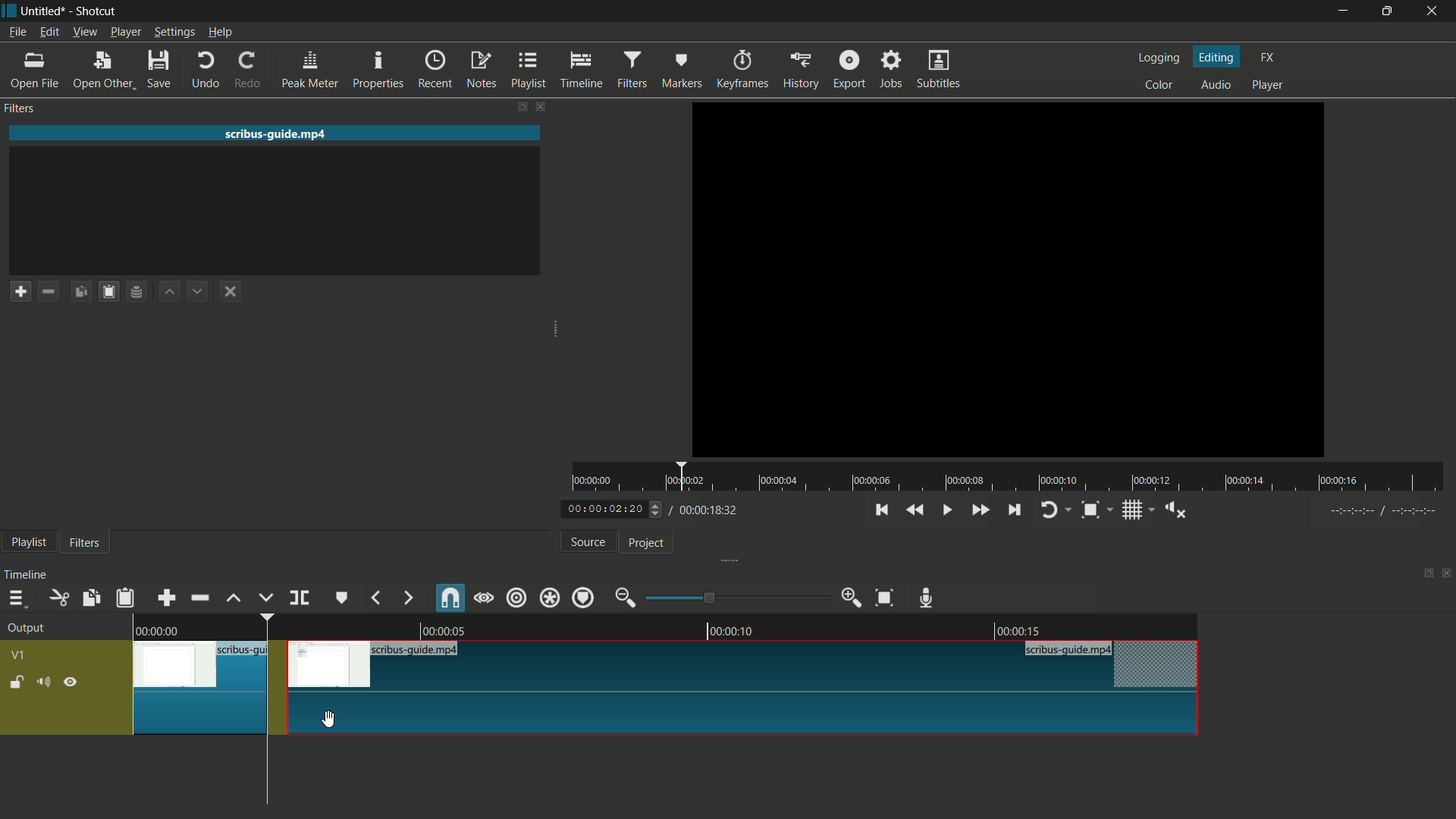  Describe the element at coordinates (300, 598) in the screenshot. I see `split at playhead` at that location.